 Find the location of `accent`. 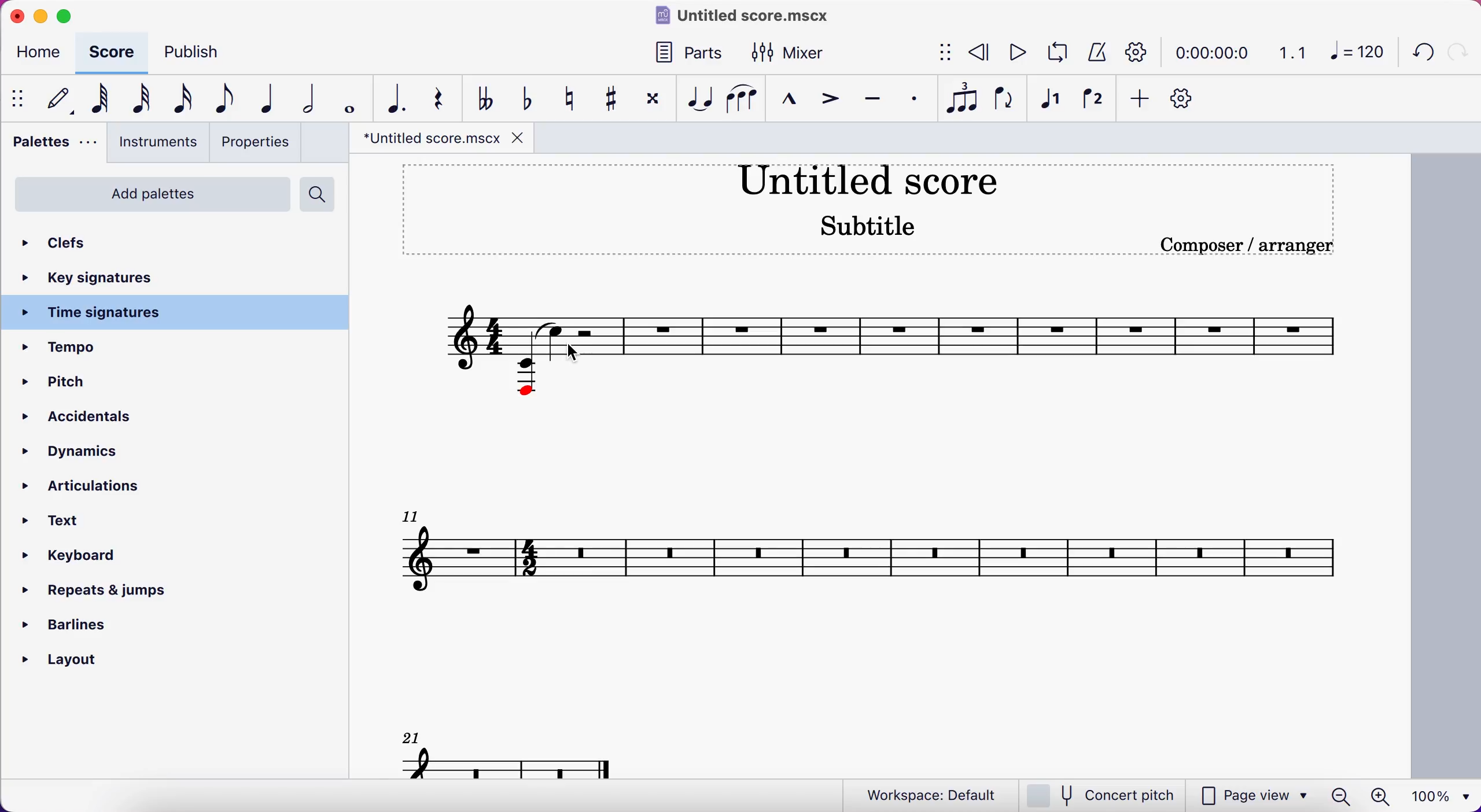

accent is located at coordinates (828, 101).